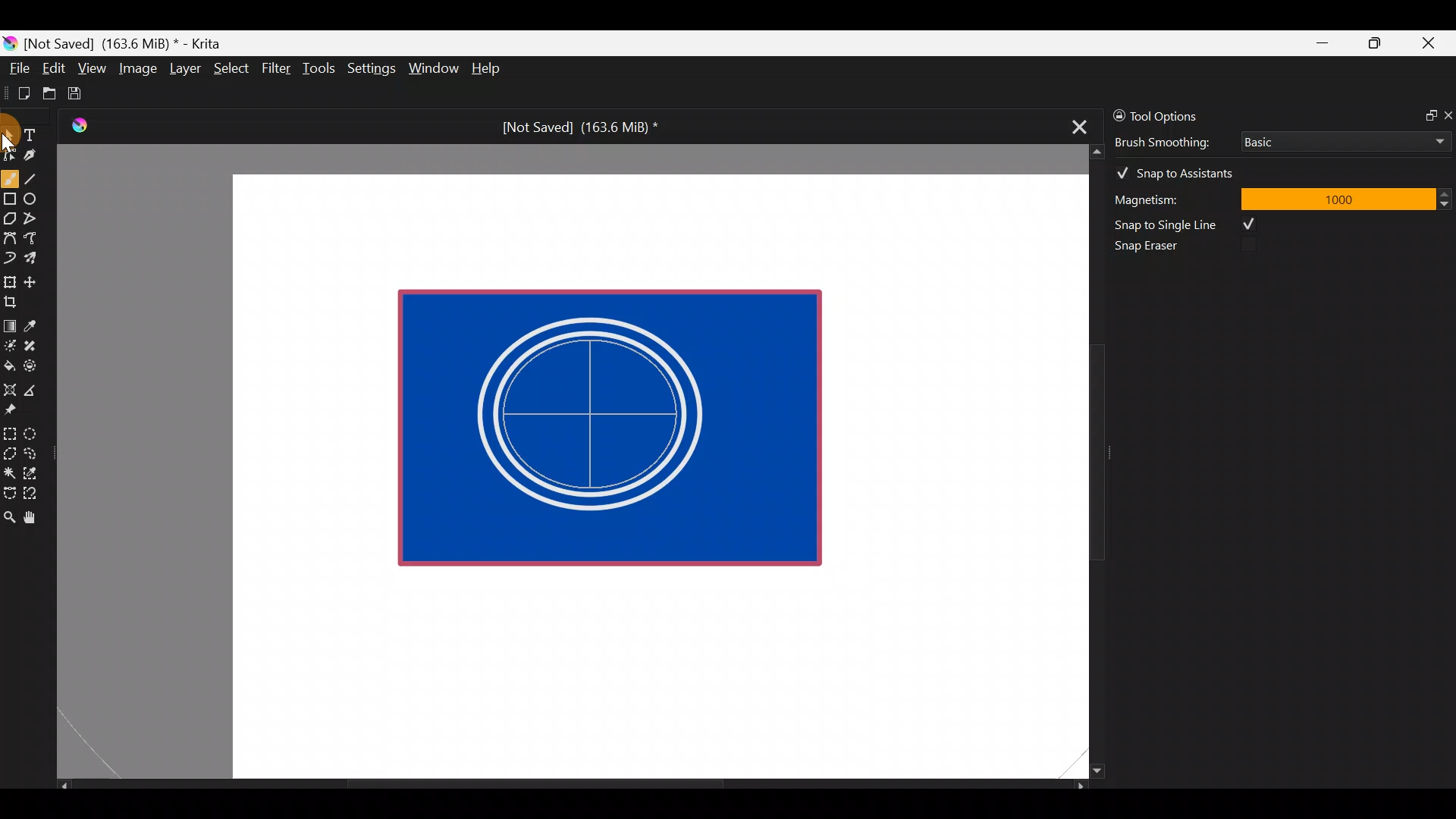  I want to click on Filter, so click(277, 67).